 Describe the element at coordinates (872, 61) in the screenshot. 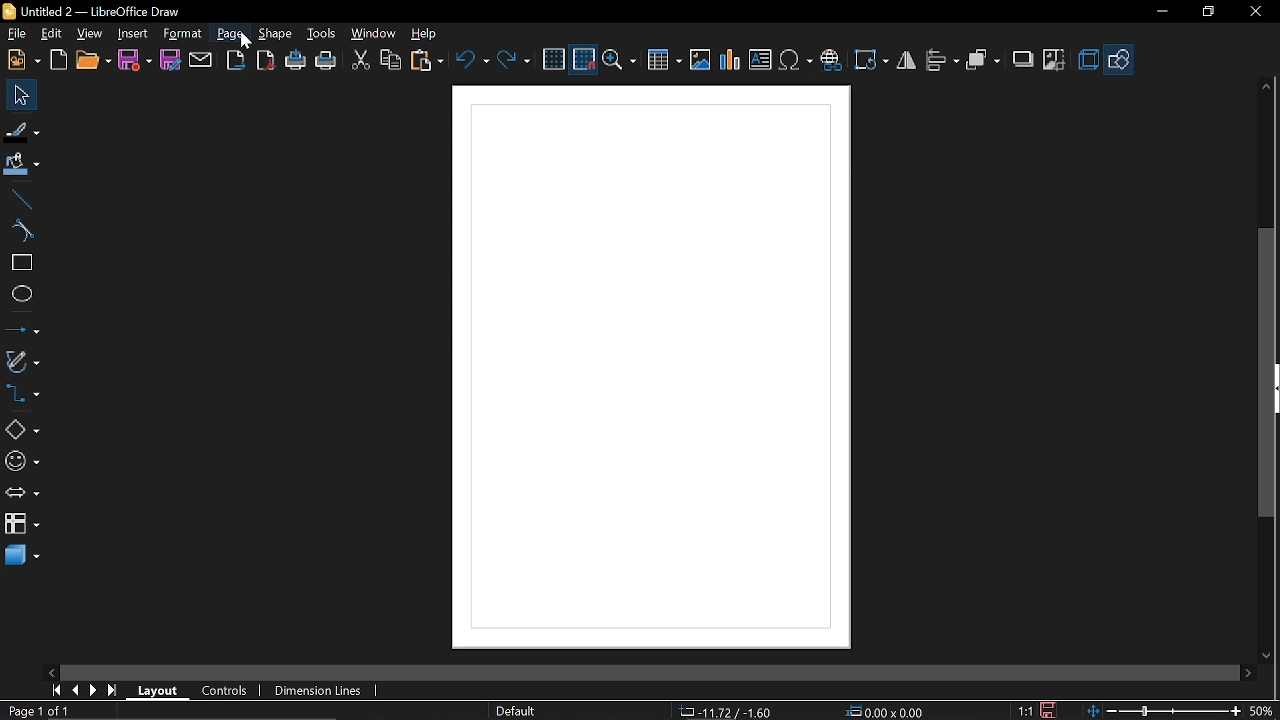

I see `Rotate` at that location.